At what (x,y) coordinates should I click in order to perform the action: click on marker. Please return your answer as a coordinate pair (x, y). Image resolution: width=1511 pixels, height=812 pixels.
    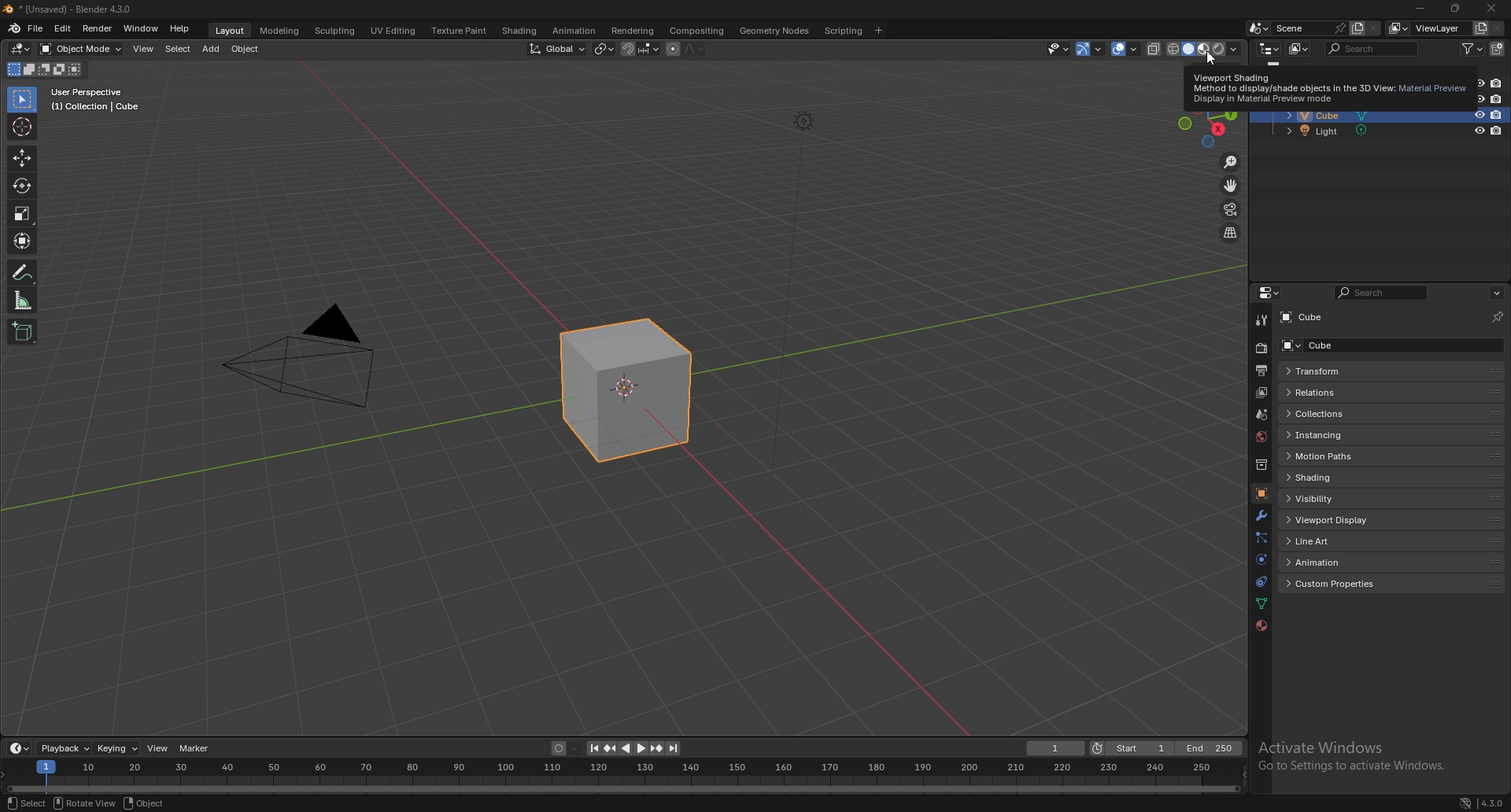
    Looking at the image, I should click on (194, 748).